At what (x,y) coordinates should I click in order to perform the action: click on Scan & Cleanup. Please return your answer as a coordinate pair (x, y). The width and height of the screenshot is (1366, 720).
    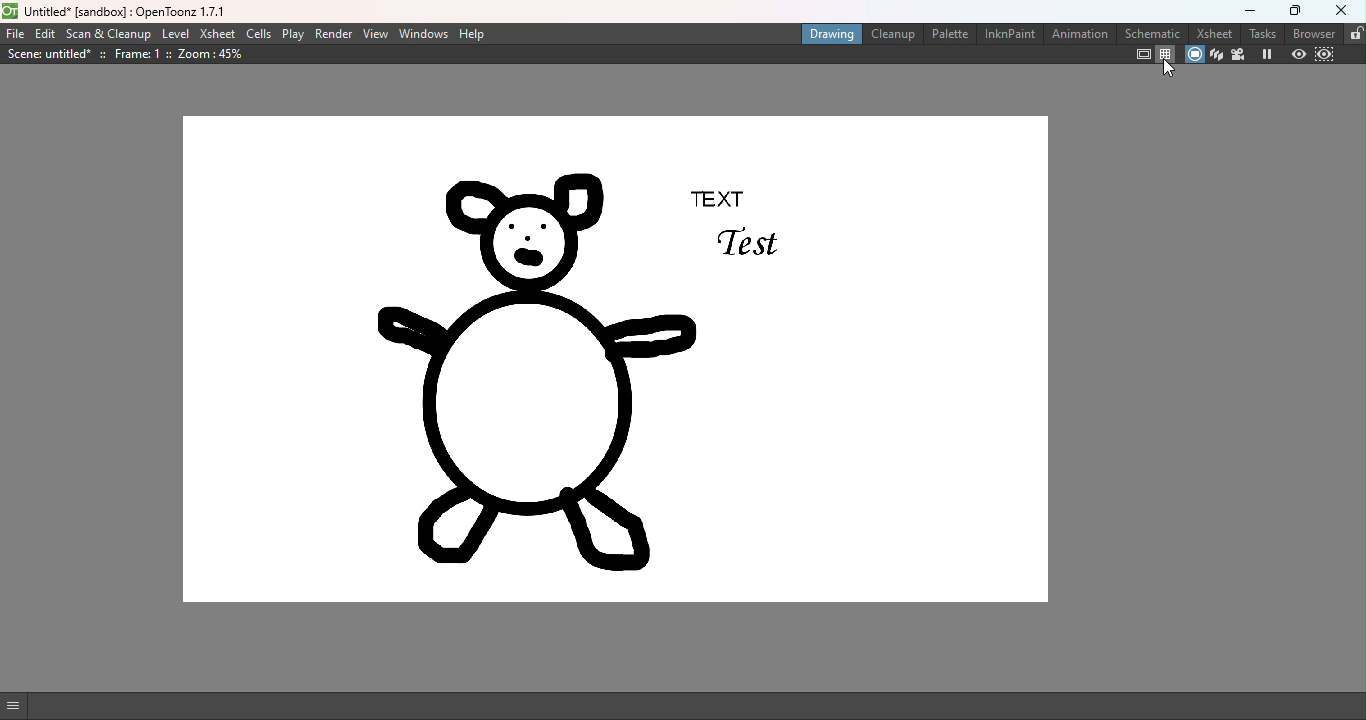
    Looking at the image, I should click on (111, 34).